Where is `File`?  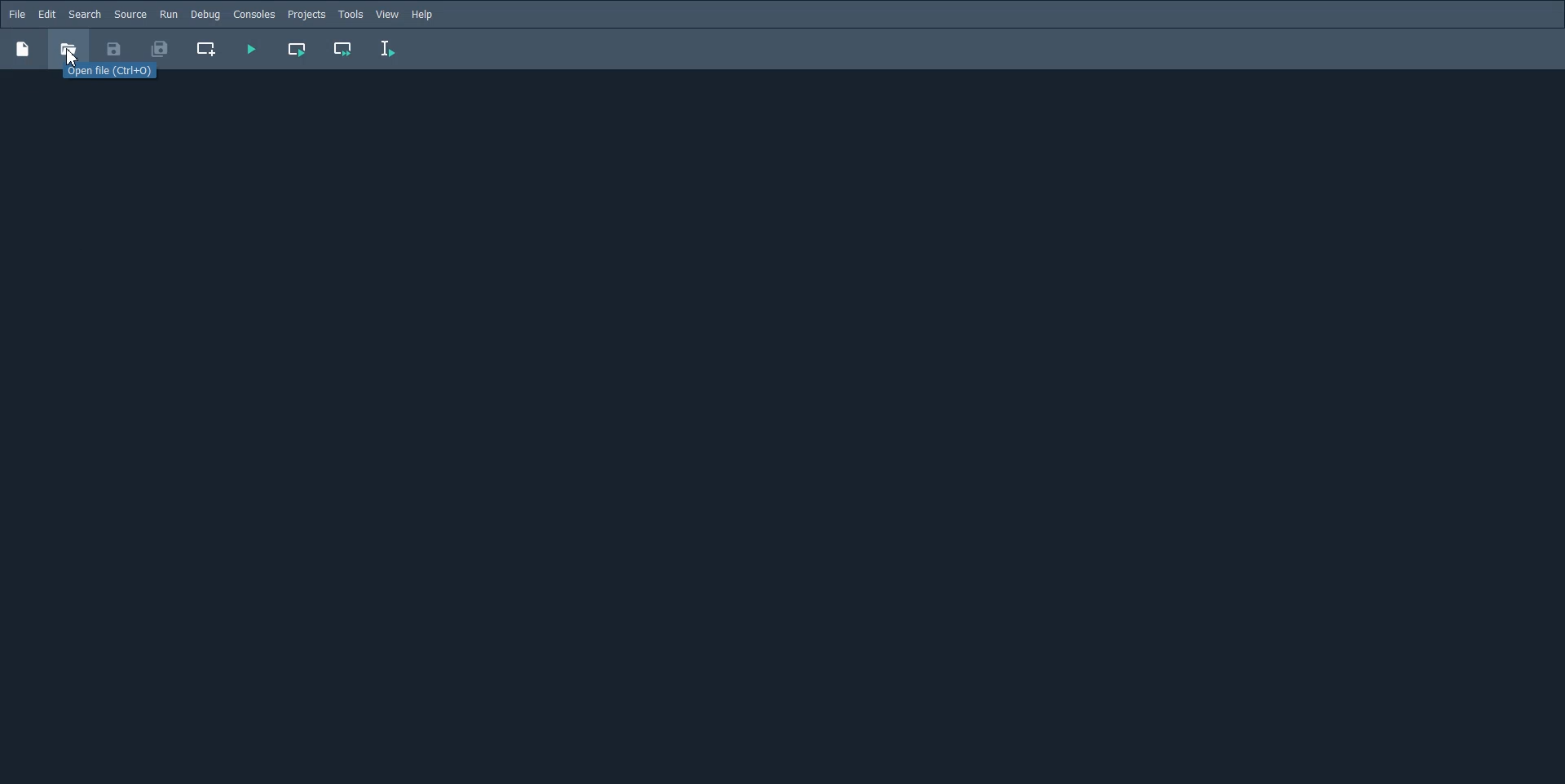
File is located at coordinates (17, 14).